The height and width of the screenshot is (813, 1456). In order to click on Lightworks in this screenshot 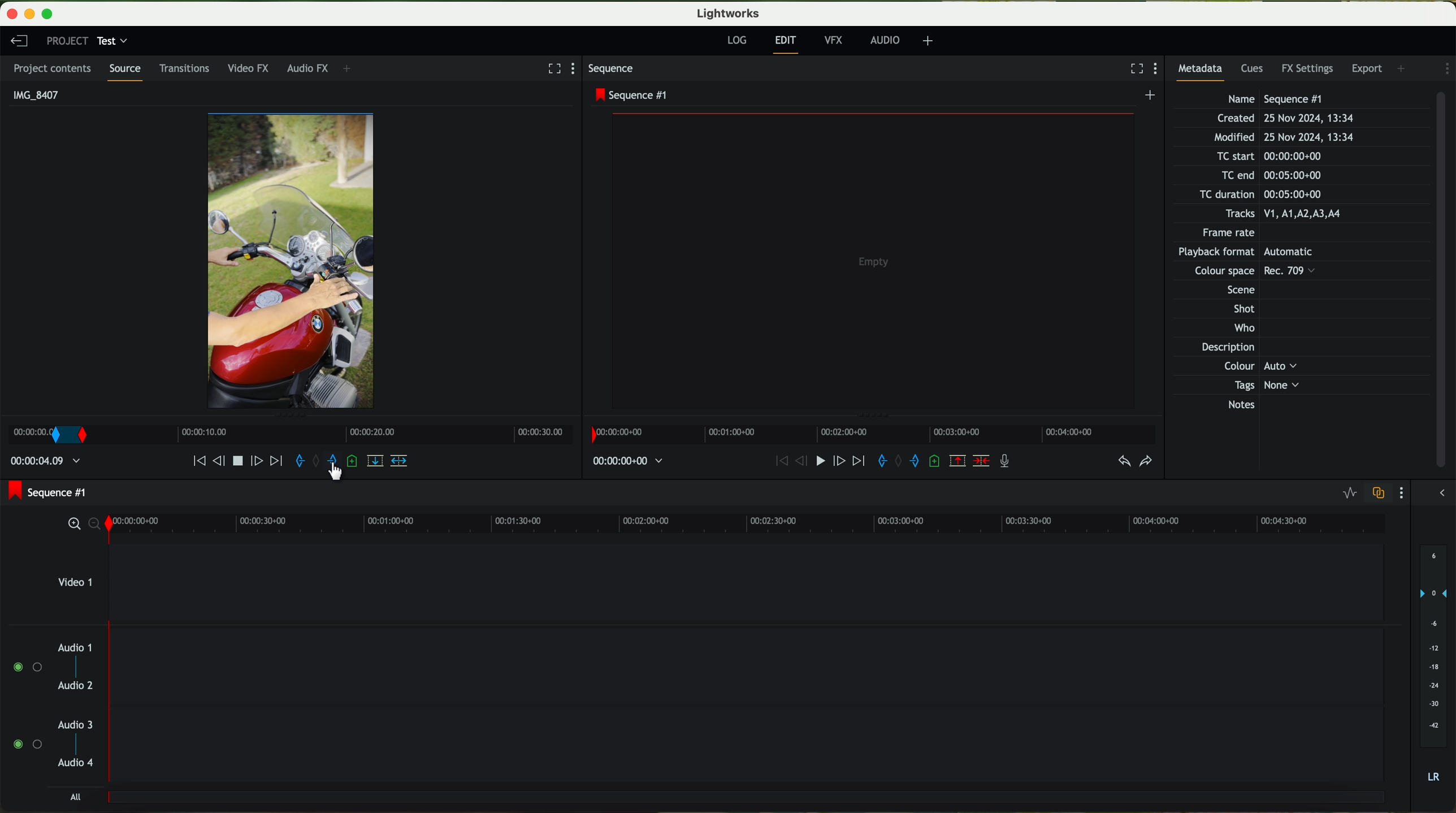, I will do `click(727, 14)`.